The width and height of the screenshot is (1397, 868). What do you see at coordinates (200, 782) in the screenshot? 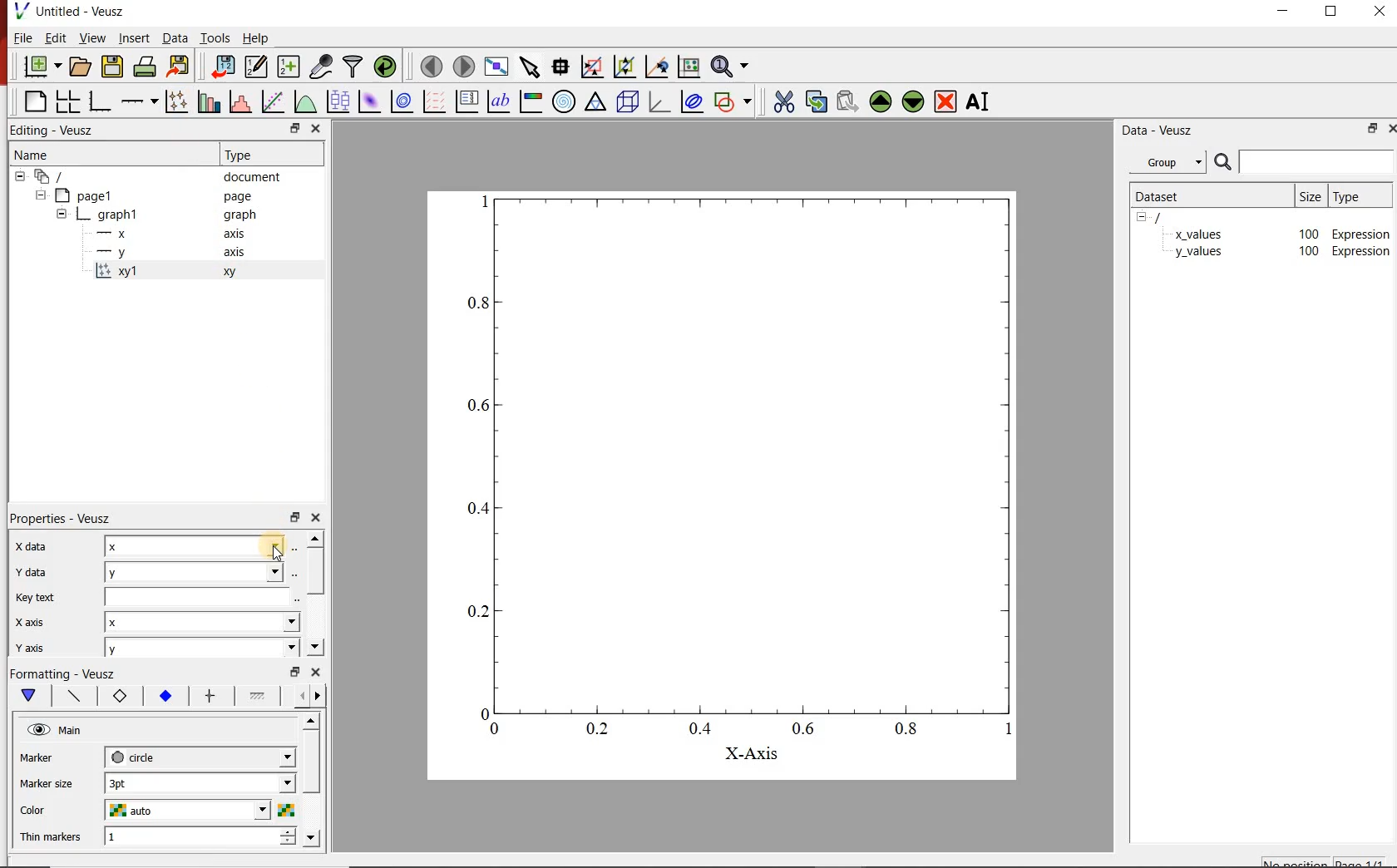
I see `3pt` at bounding box center [200, 782].